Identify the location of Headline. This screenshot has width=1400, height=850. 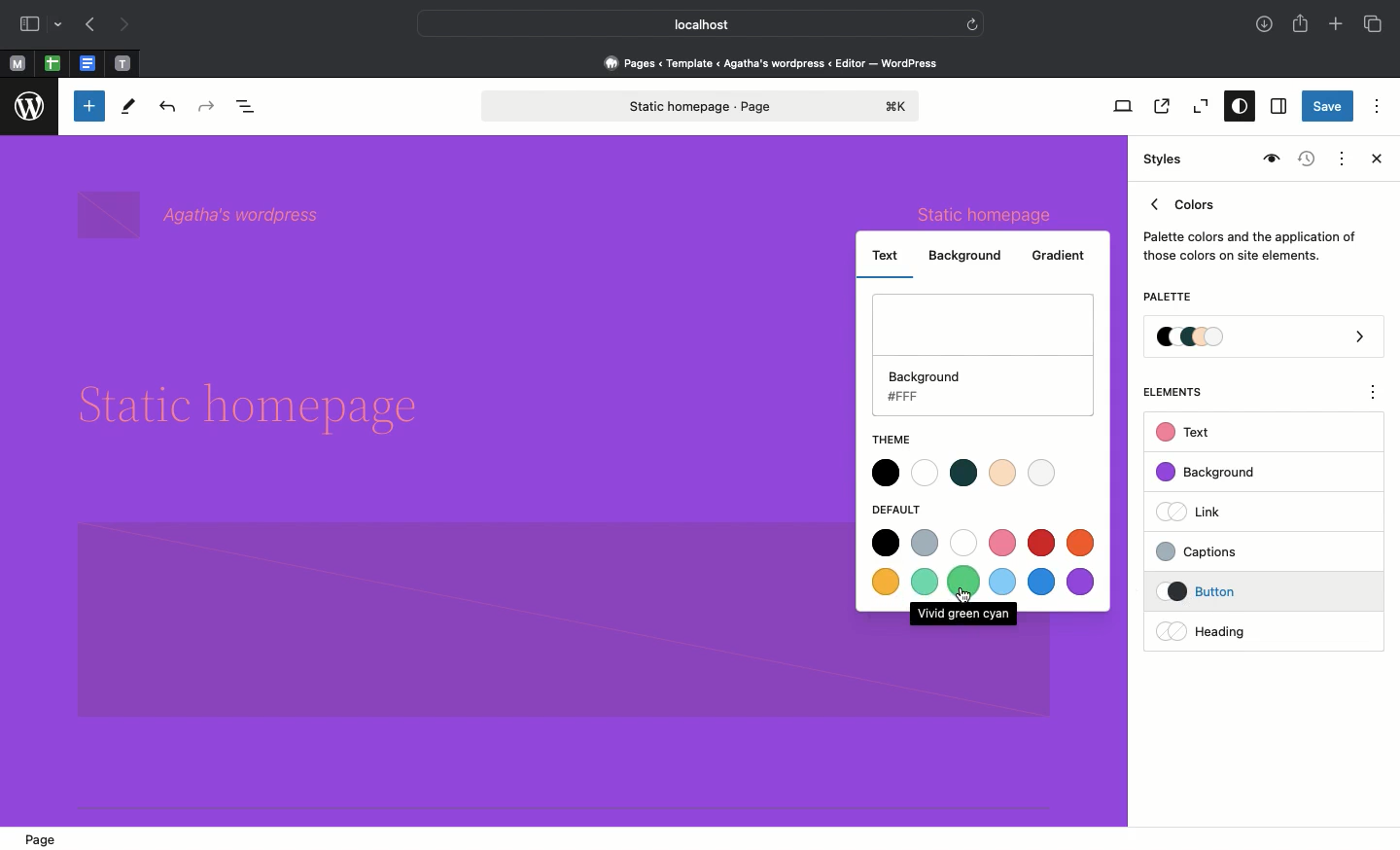
(264, 408).